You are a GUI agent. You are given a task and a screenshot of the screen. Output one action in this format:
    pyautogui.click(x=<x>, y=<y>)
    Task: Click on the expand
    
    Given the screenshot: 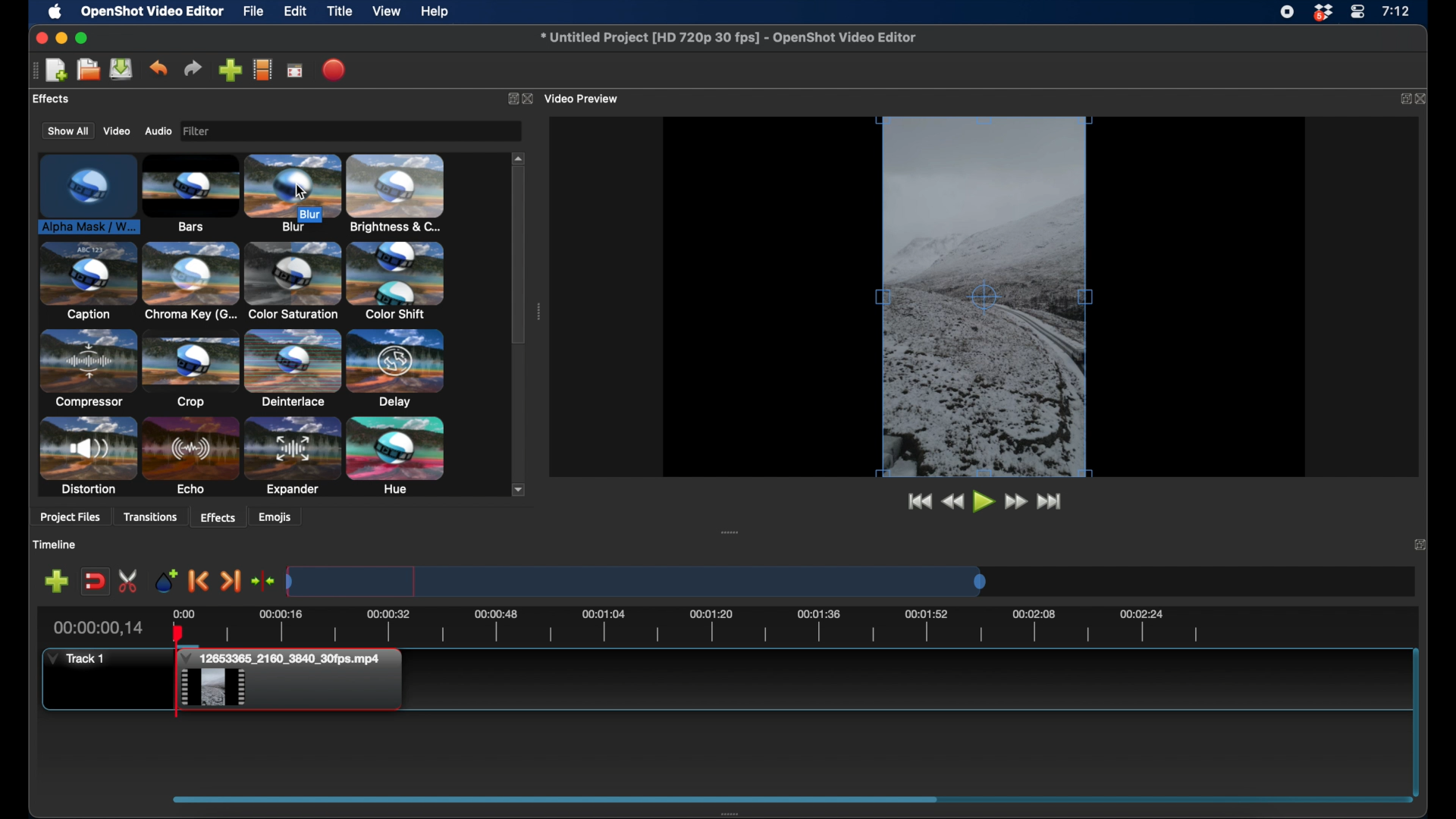 What is the action you would take?
    pyautogui.click(x=1420, y=544)
    